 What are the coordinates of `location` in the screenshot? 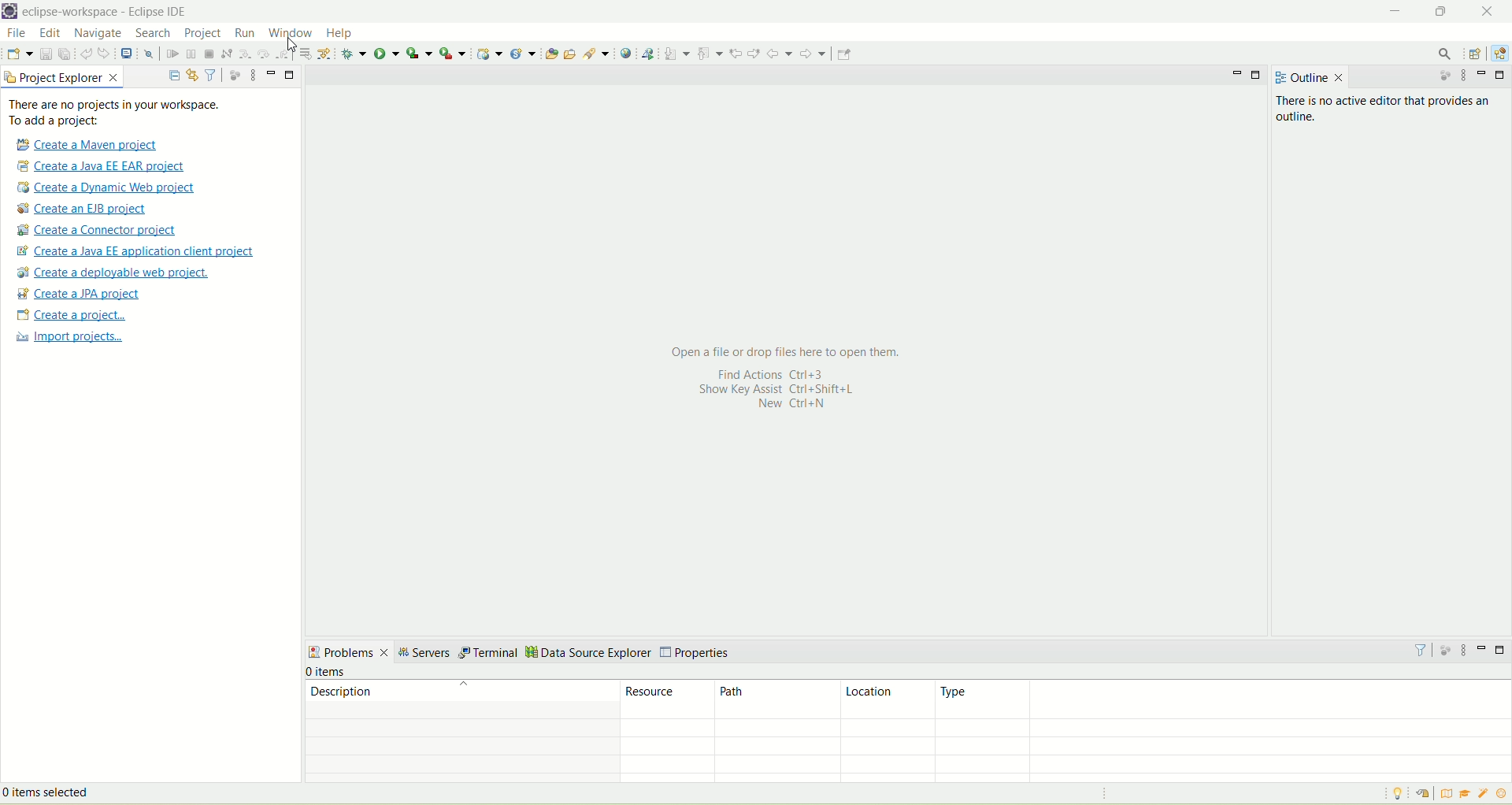 It's located at (888, 700).